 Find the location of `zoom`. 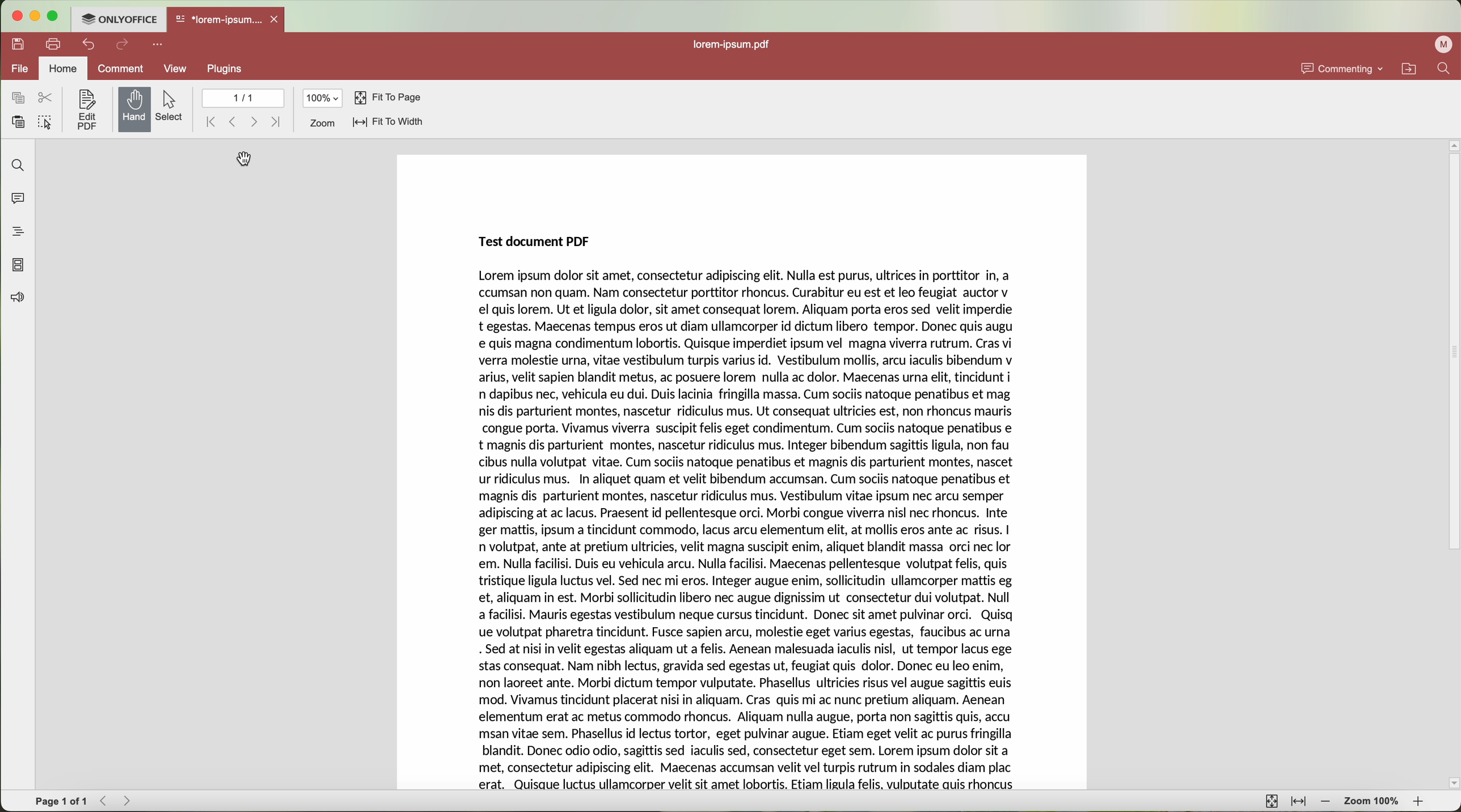

zoom is located at coordinates (323, 123).